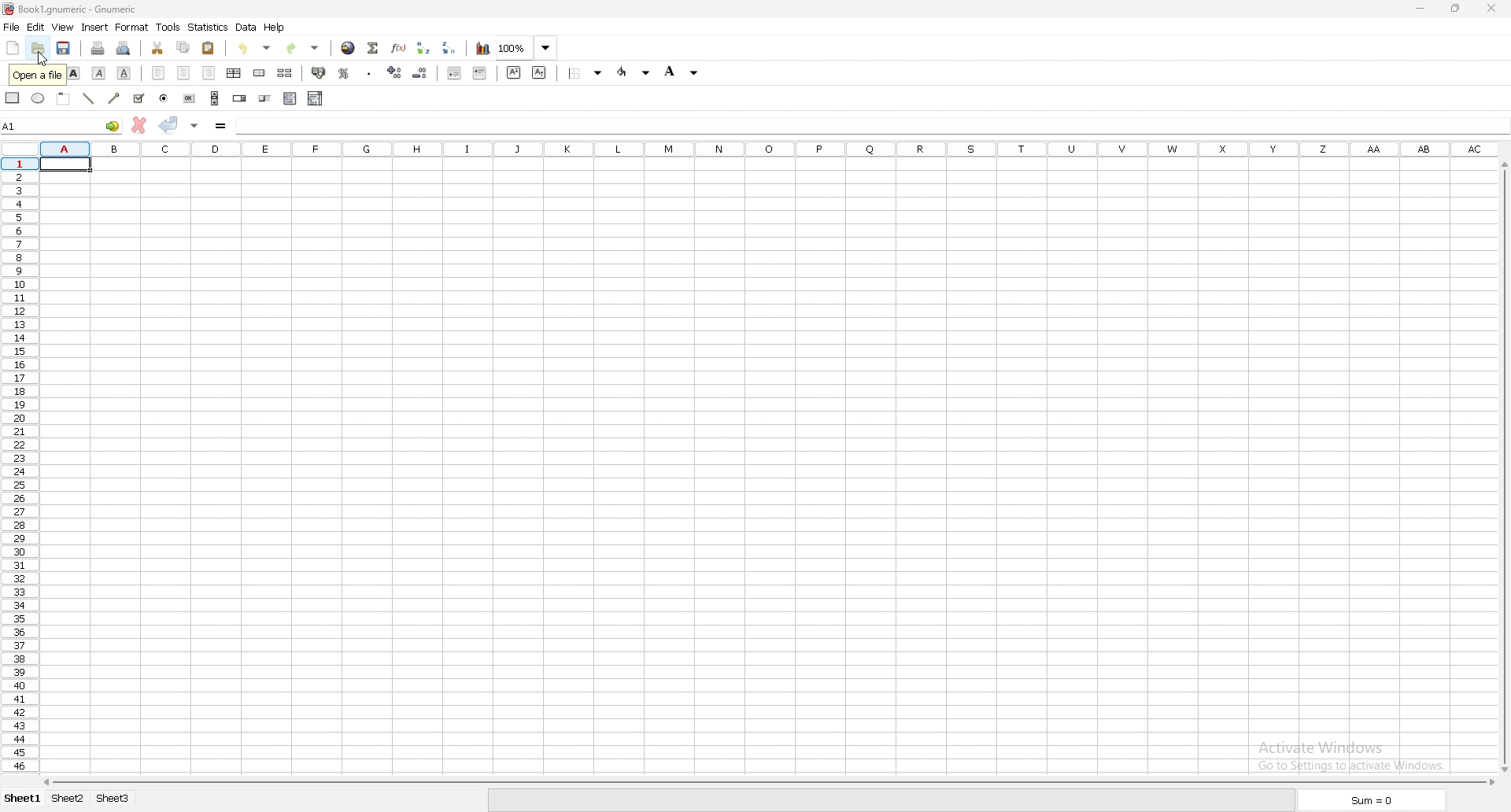 This screenshot has height=812, width=1511. I want to click on foreground, so click(635, 72).